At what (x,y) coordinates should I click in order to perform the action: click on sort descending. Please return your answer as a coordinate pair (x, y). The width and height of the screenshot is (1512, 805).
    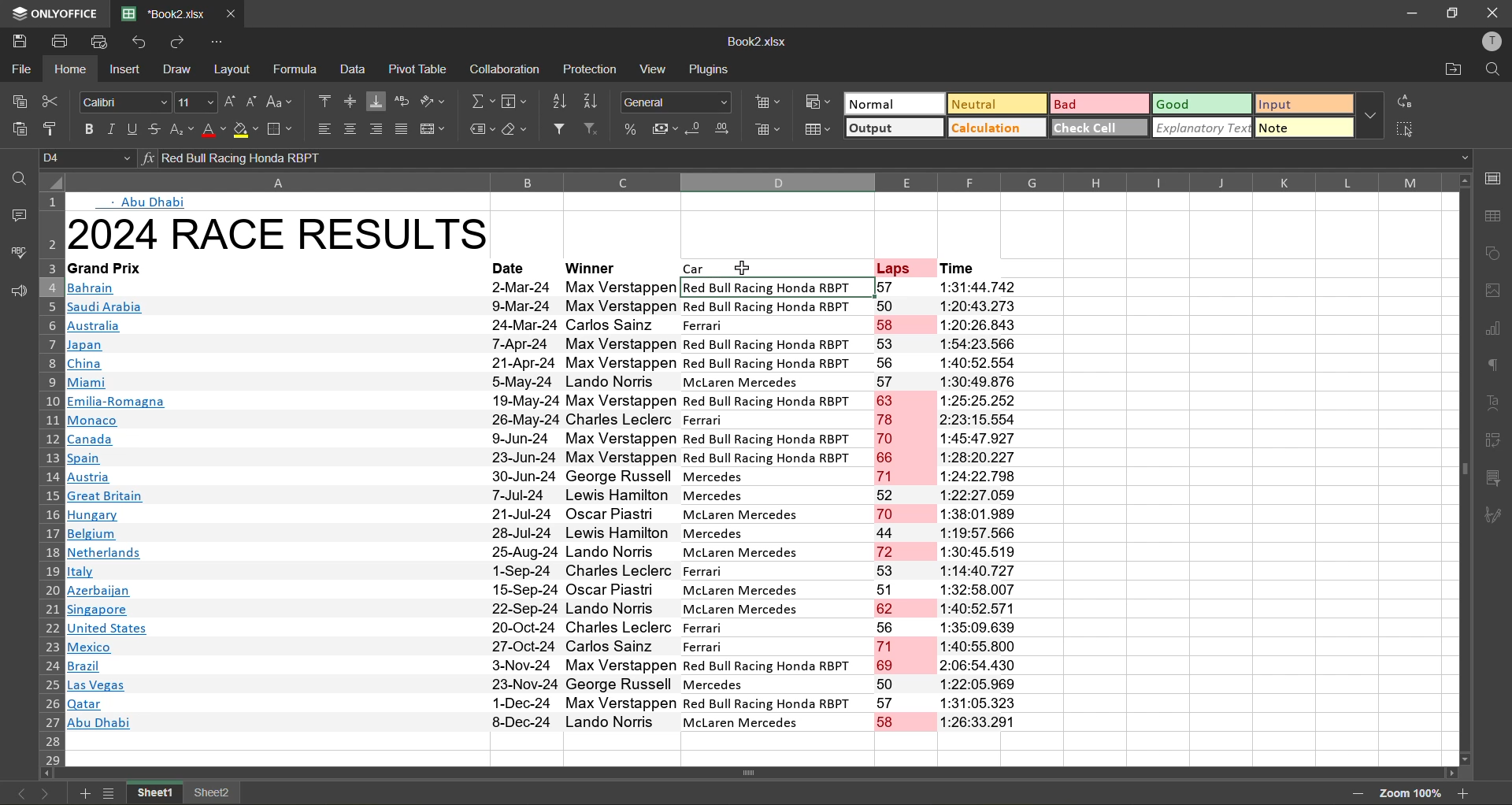
    Looking at the image, I should click on (595, 102).